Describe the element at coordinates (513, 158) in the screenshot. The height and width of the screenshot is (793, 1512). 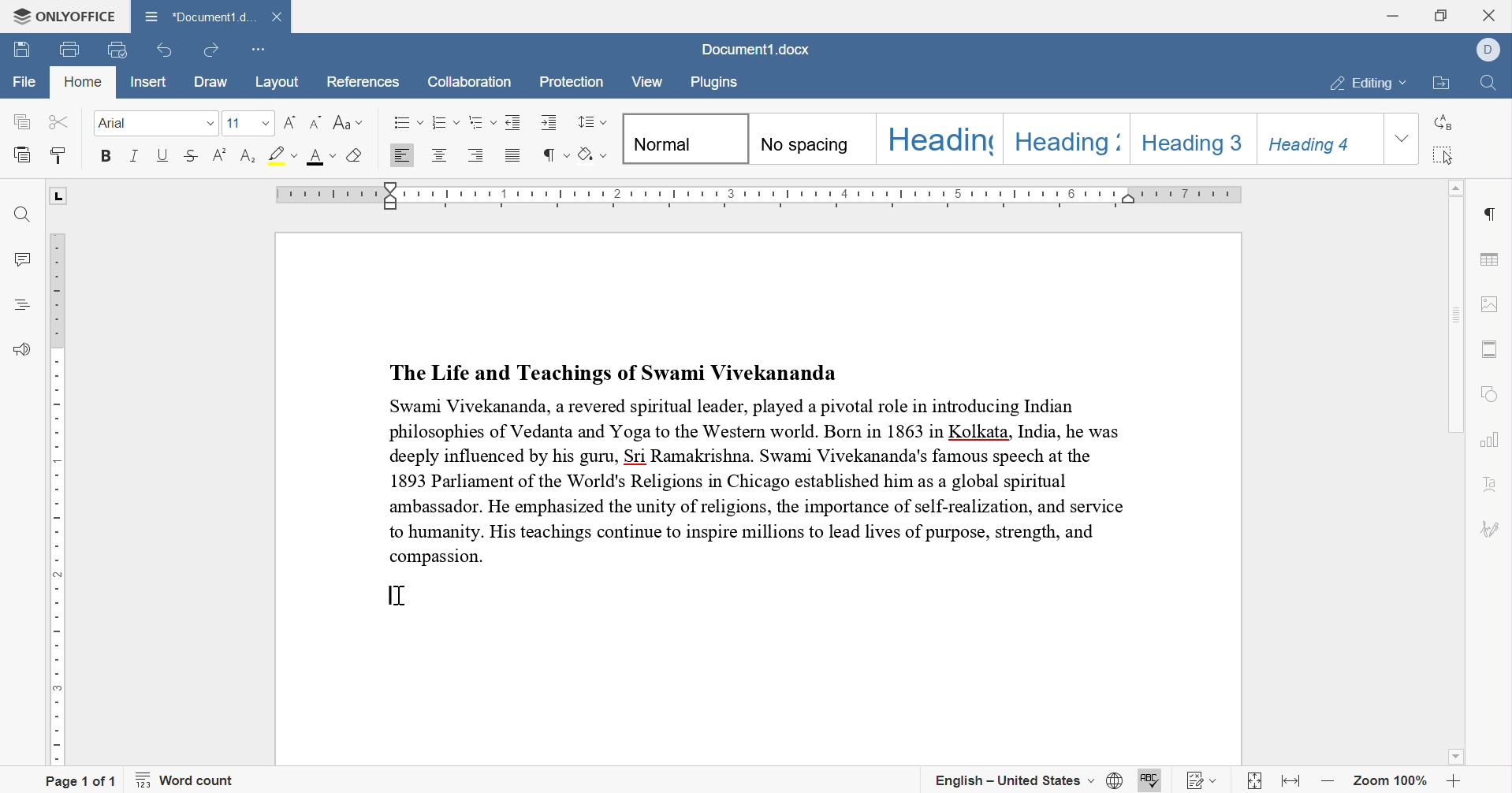
I see `justified` at that location.